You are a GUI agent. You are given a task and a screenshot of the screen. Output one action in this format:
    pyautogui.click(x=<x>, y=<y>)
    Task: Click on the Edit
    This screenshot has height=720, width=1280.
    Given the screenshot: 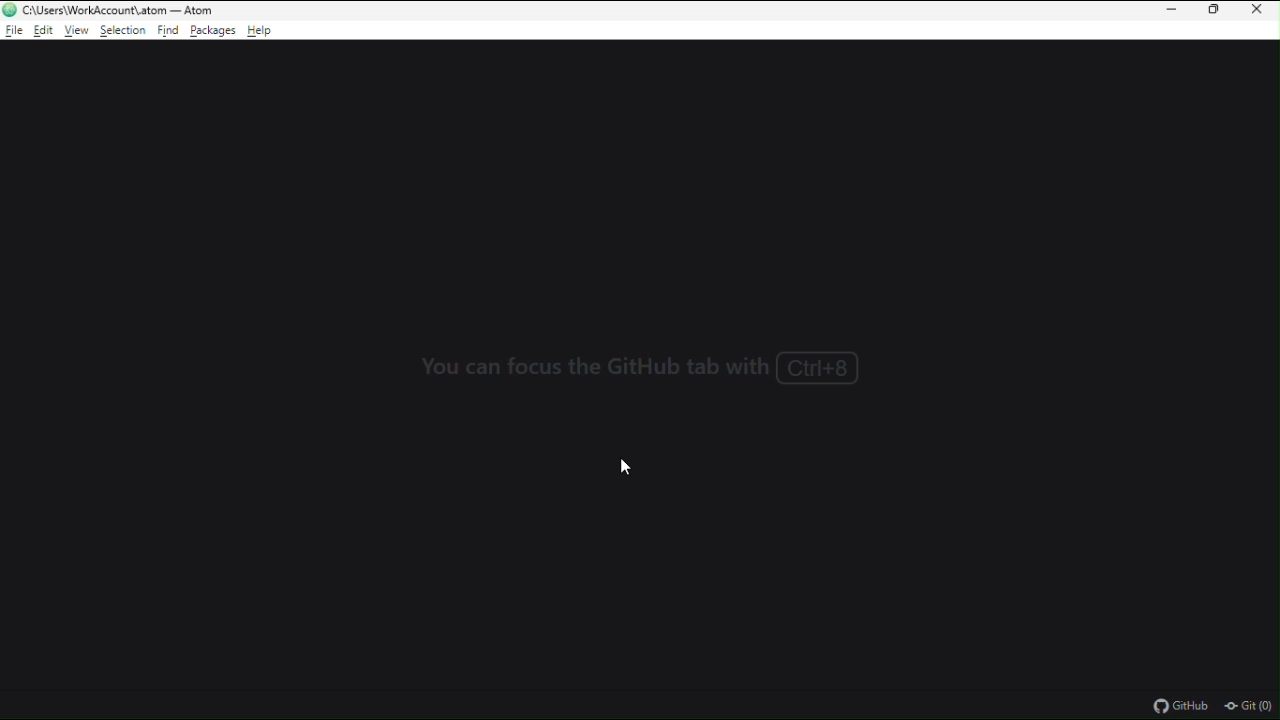 What is the action you would take?
    pyautogui.click(x=44, y=31)
    